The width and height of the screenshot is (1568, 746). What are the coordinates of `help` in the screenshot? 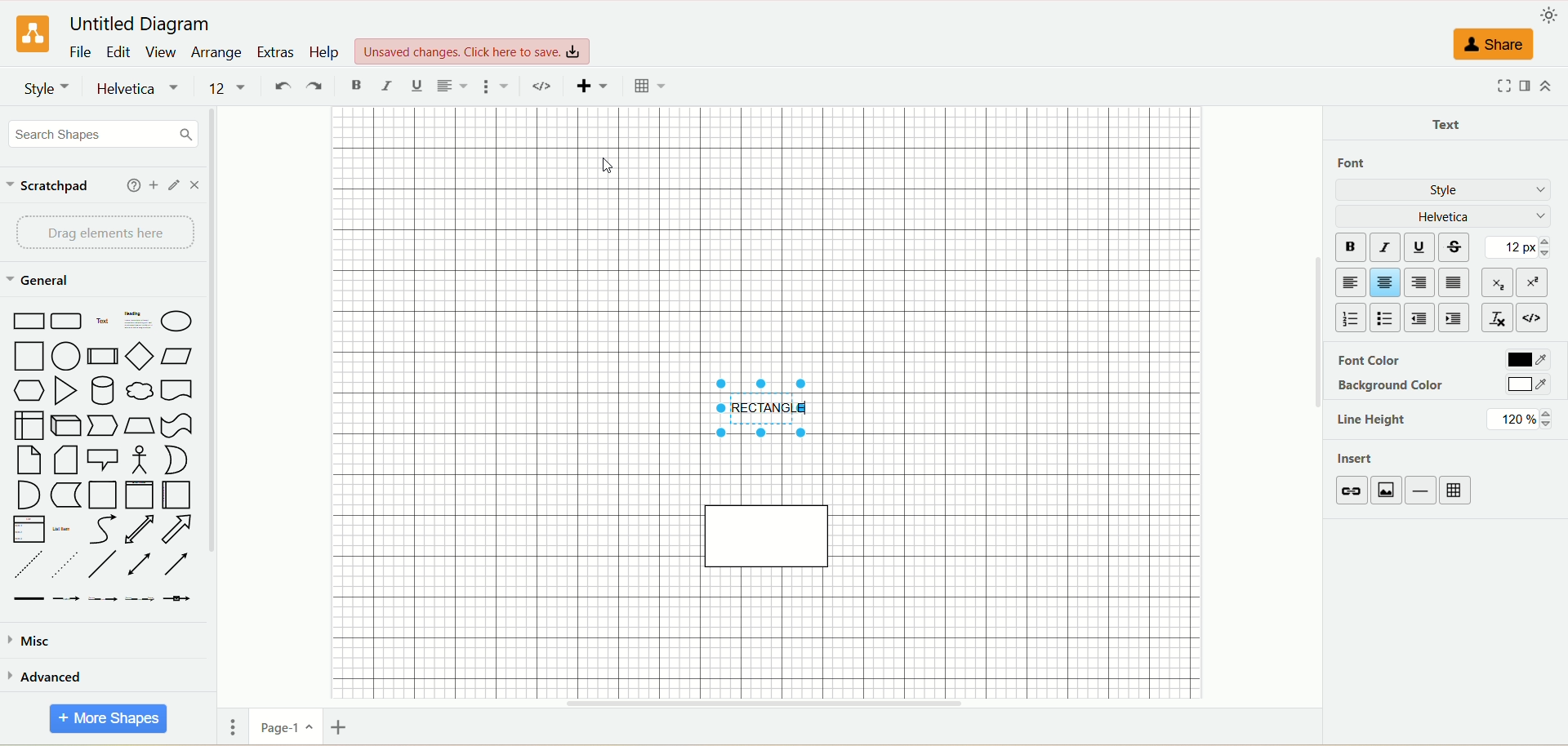 It's located at (325, 52).